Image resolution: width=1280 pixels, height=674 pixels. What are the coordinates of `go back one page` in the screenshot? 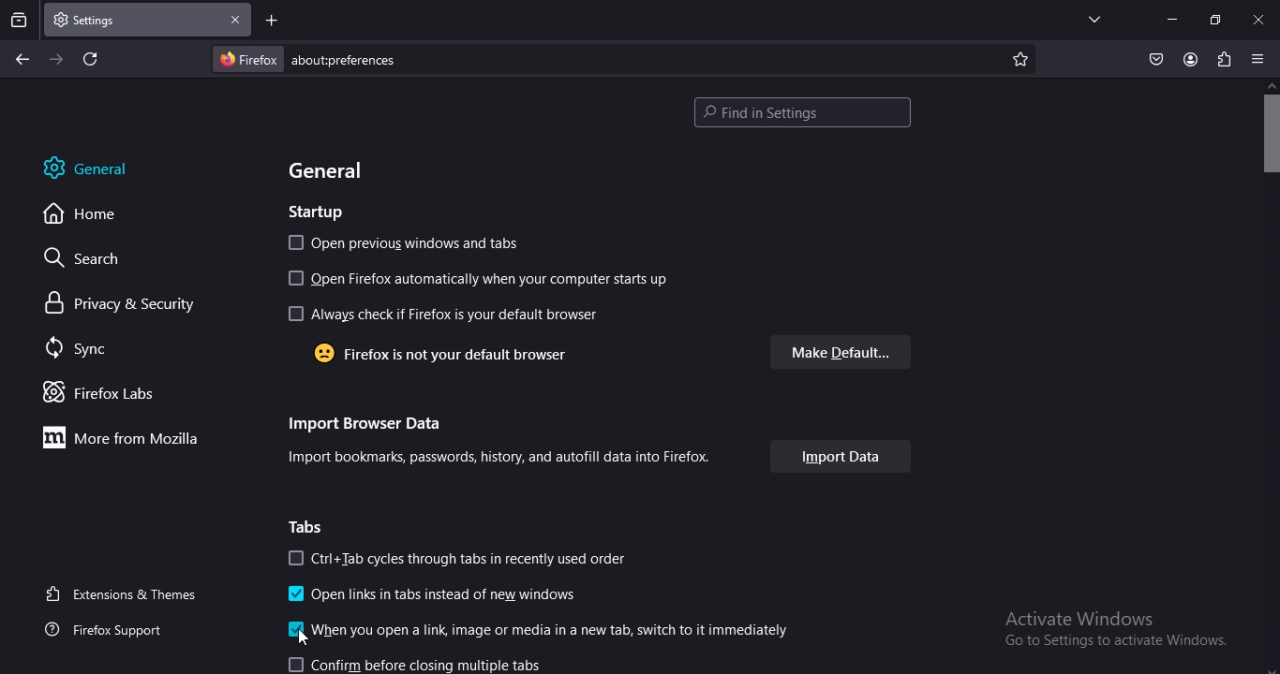 It's located at (26, 60).